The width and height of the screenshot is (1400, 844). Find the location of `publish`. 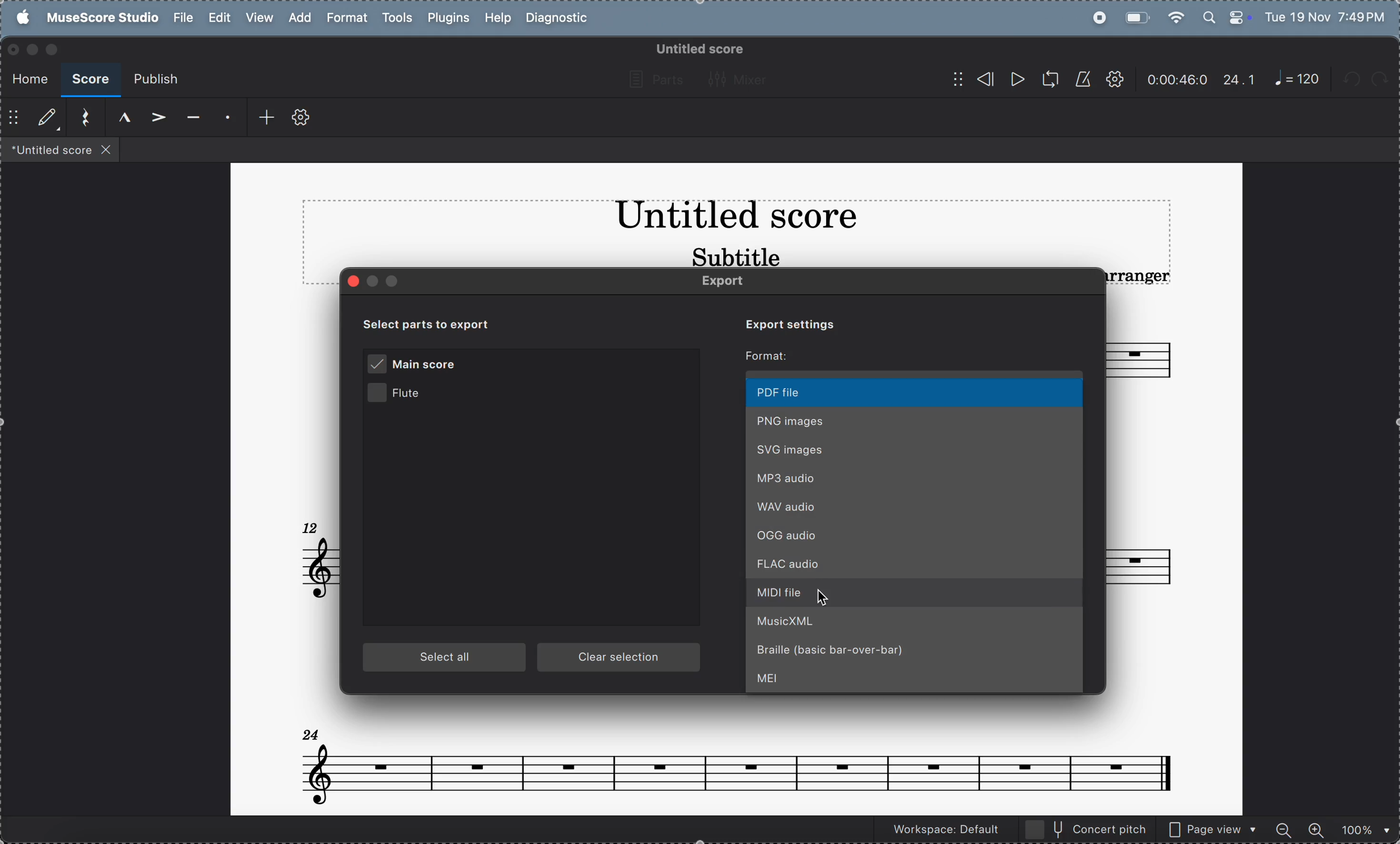

publish is located at coordinates (155, 80).